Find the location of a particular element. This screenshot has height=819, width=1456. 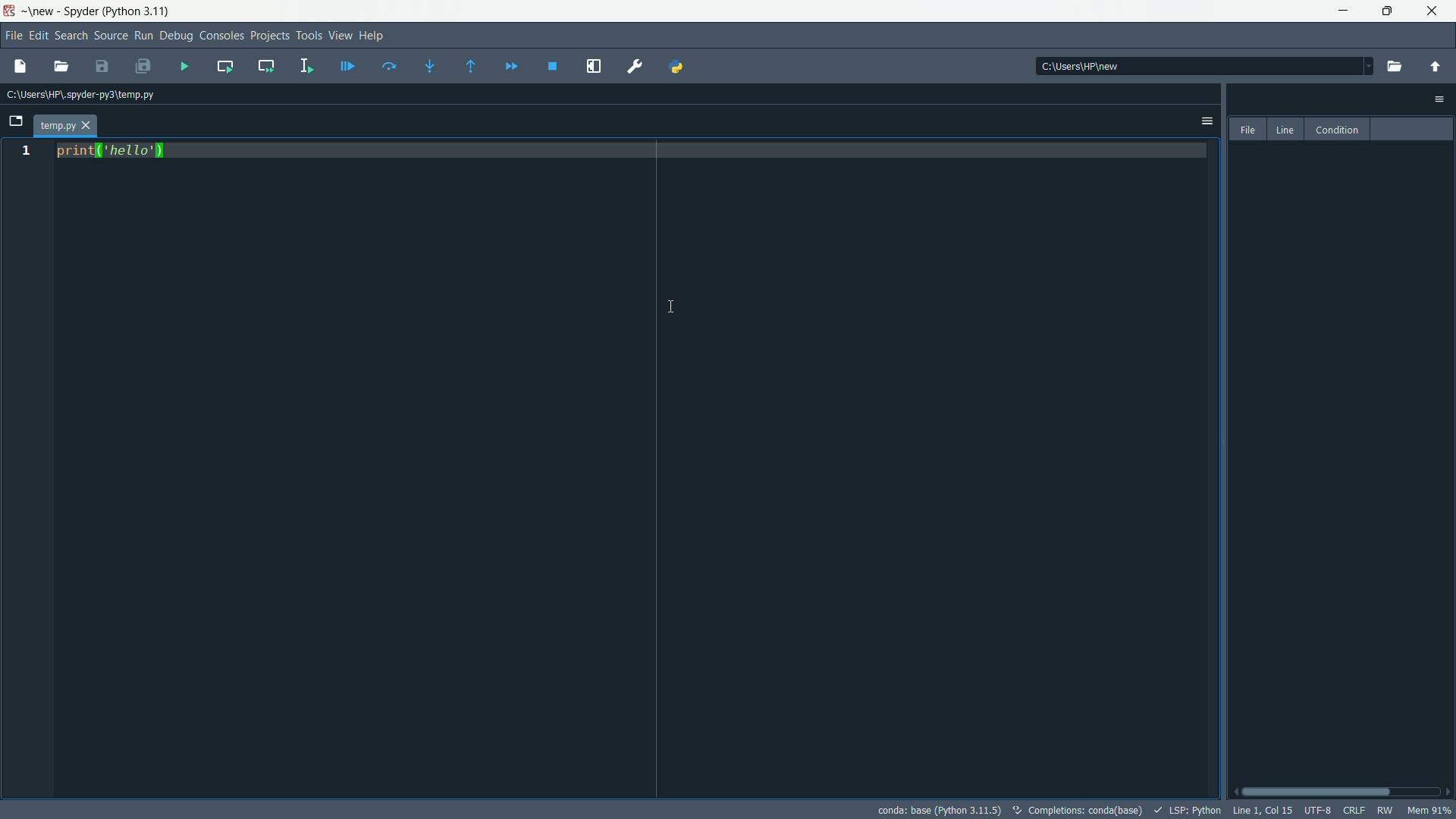

parent directory is located at coordinates (1436, 67).